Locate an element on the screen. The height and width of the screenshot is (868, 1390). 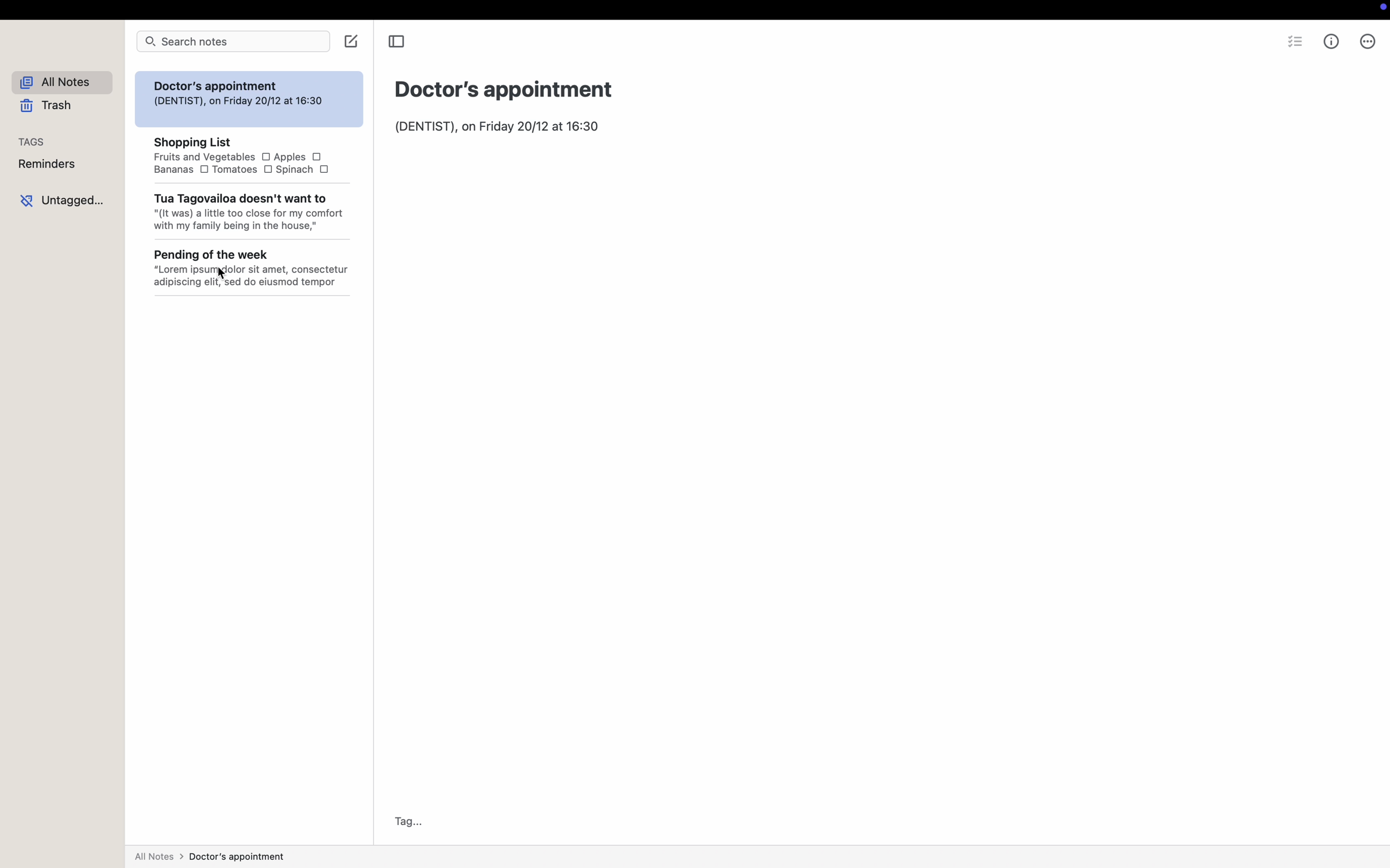
untagged is located at coordinates (60, 198).